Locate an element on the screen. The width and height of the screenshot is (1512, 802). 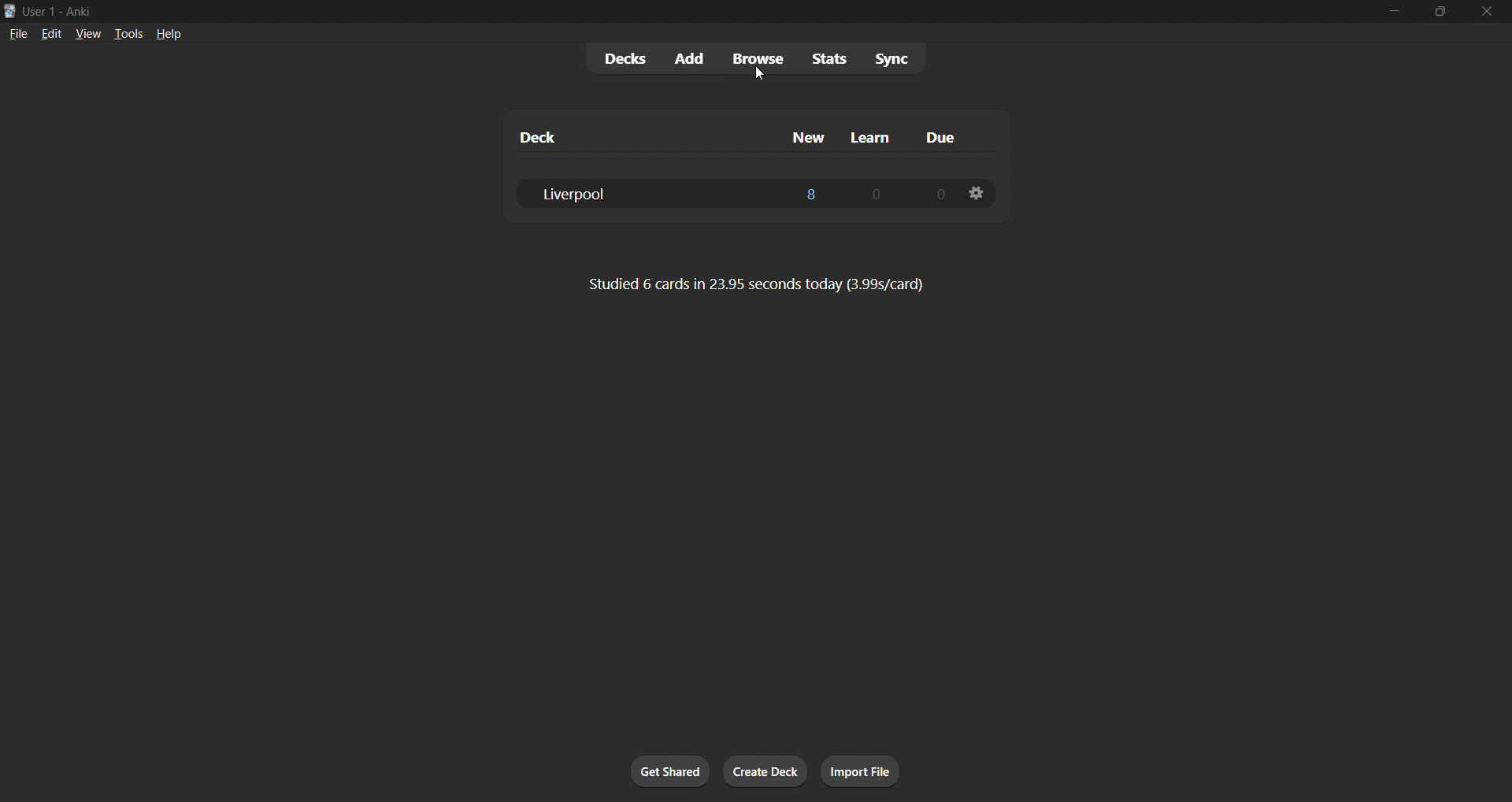
user 1- Anki is located at coordinates (680, 9).